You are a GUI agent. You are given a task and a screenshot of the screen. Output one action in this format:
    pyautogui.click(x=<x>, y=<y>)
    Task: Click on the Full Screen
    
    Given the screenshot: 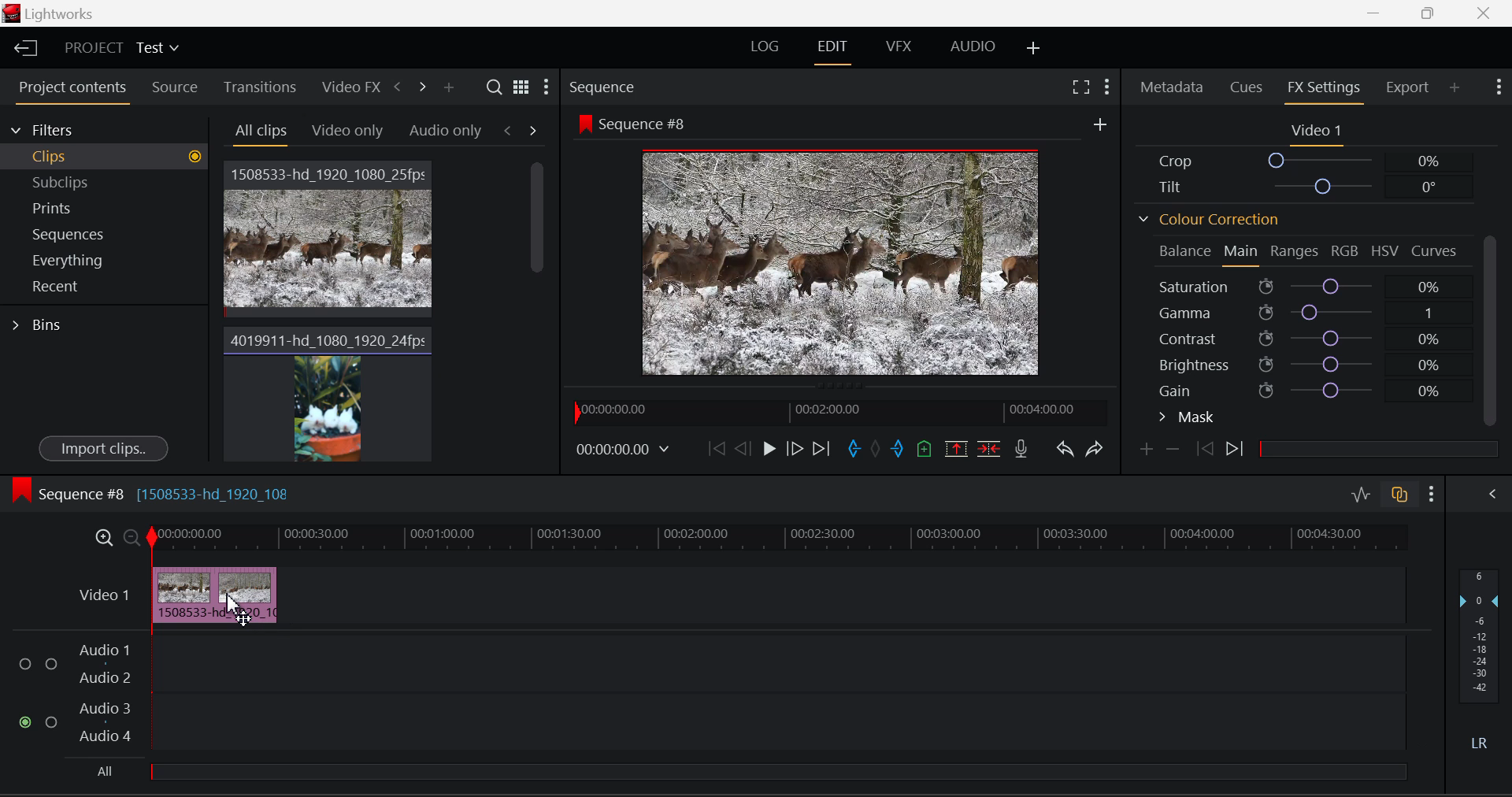 What is the action you would take?
    pyautogui.click(x=1080, y=89)
    